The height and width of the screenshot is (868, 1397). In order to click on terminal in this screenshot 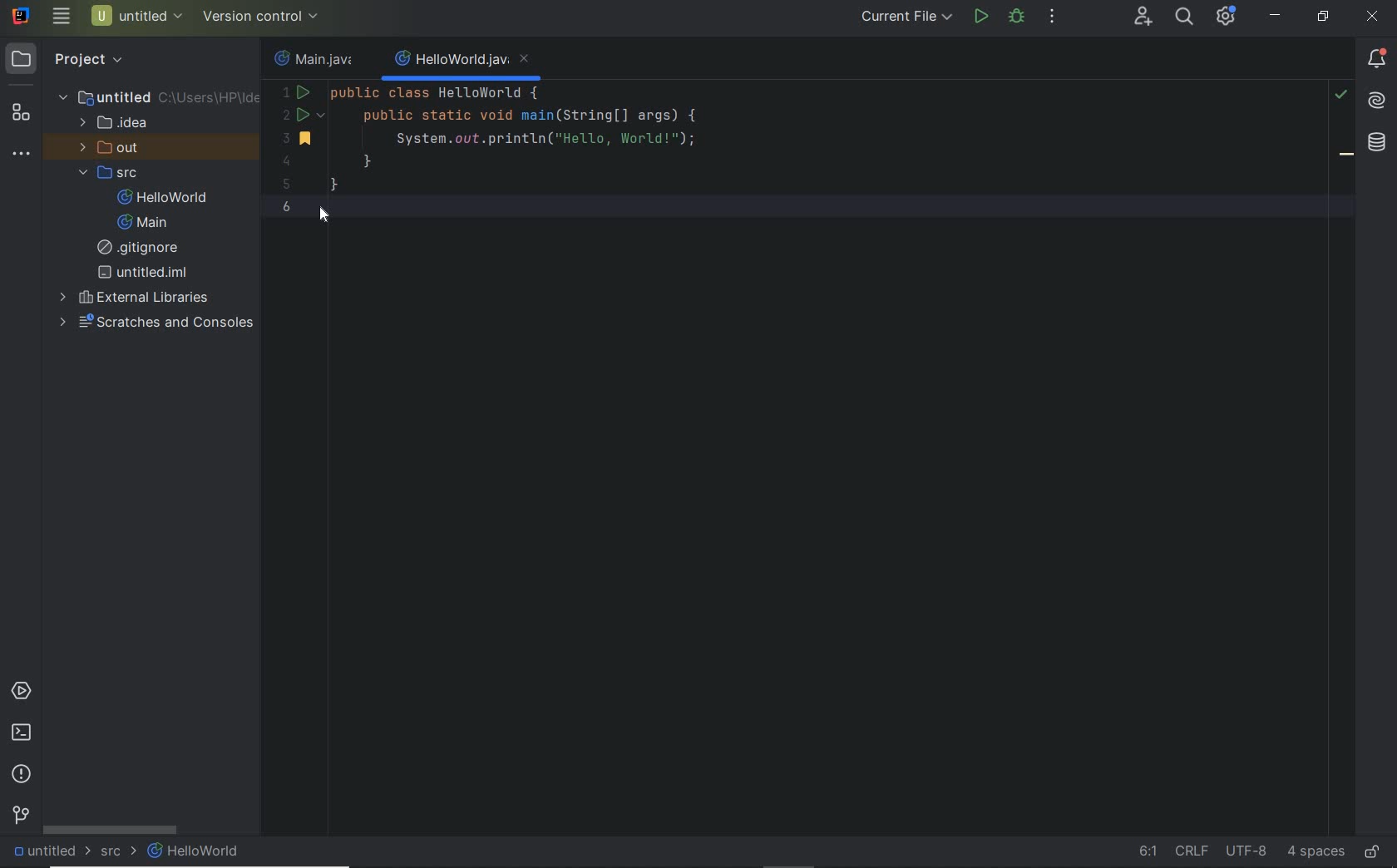, I will do `click(21, 733)`.